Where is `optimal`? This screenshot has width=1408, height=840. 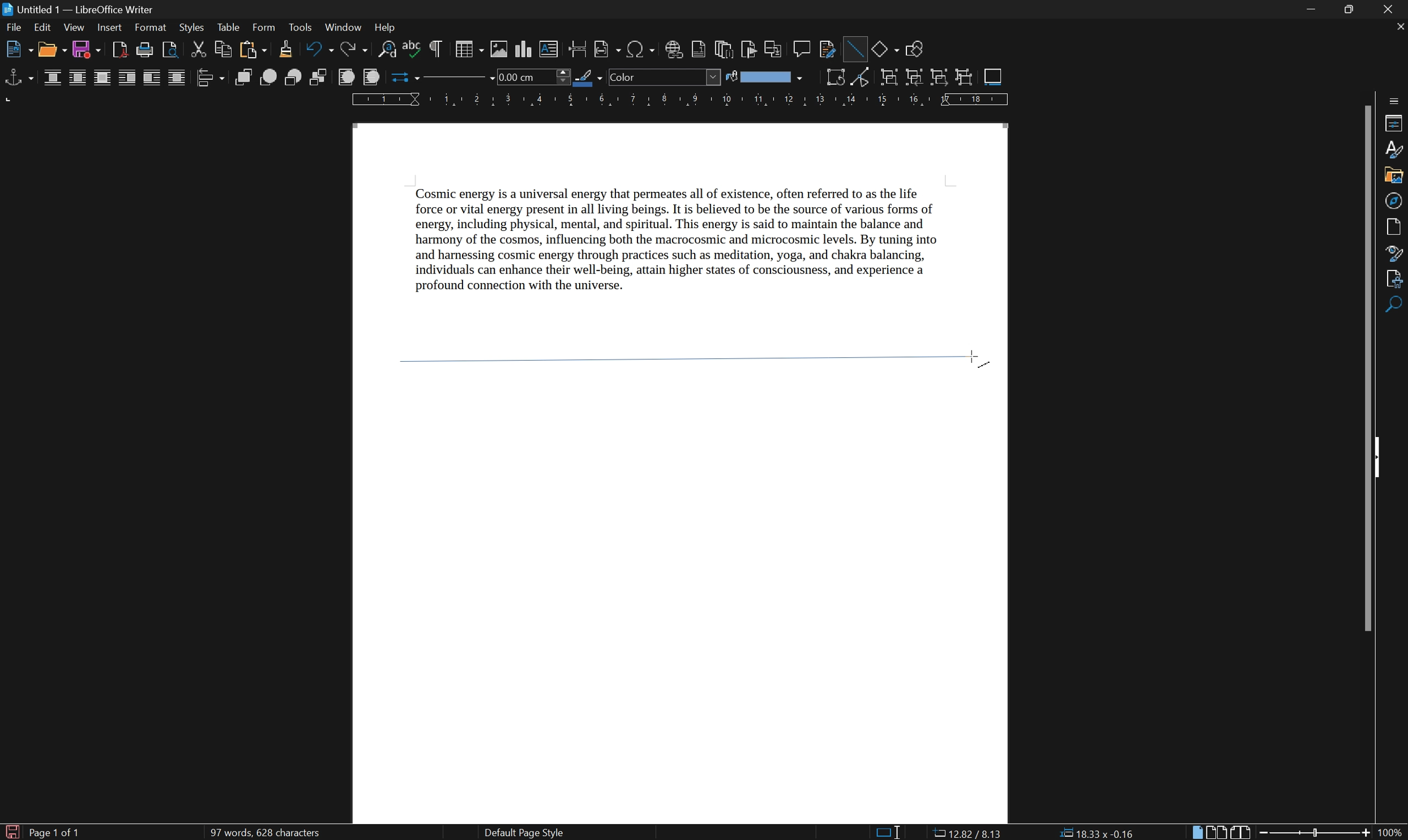
optimal is located at coordinates (101, 79).